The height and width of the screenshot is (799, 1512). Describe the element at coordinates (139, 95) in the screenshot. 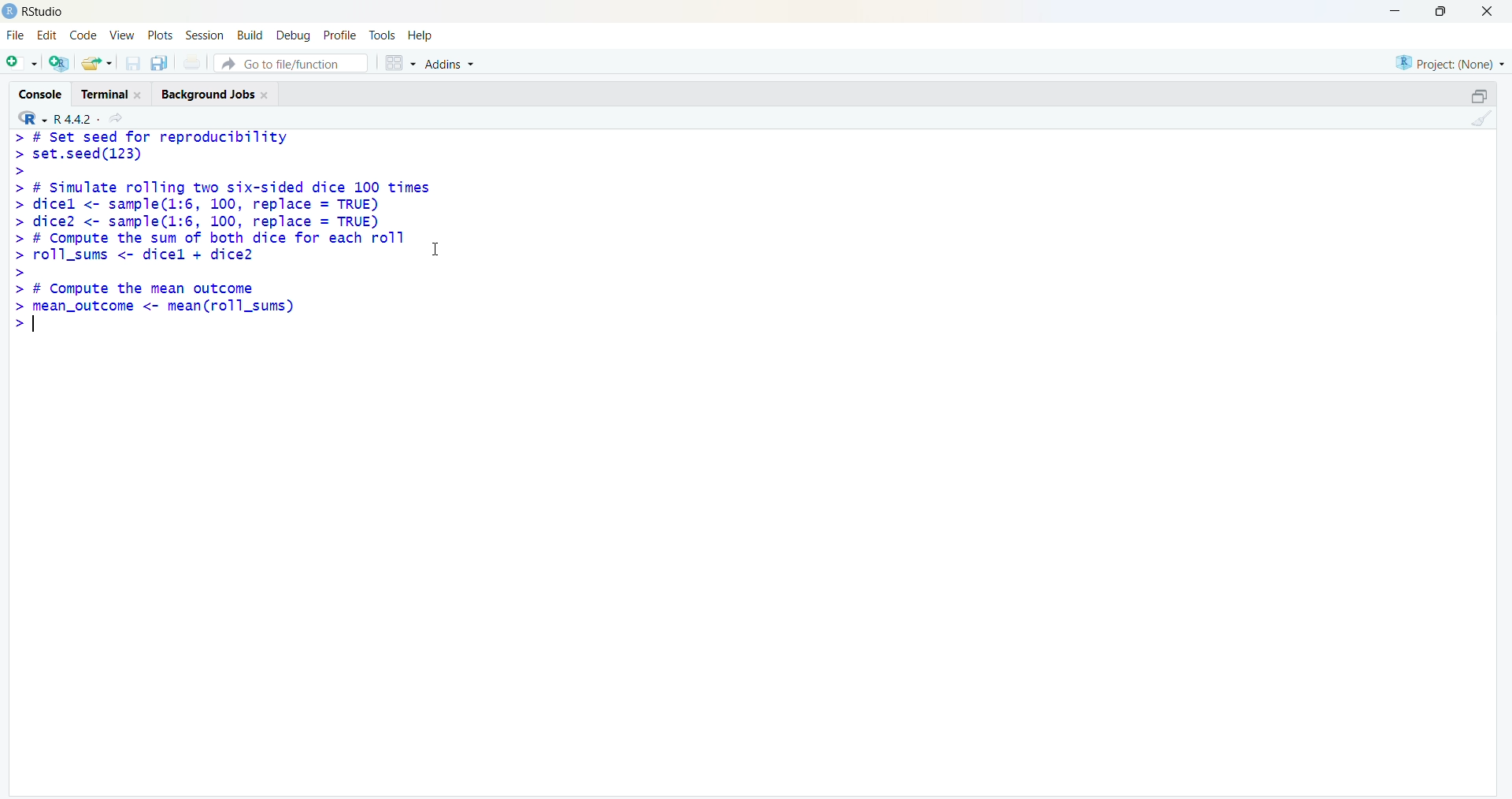

I see `close` at that location.